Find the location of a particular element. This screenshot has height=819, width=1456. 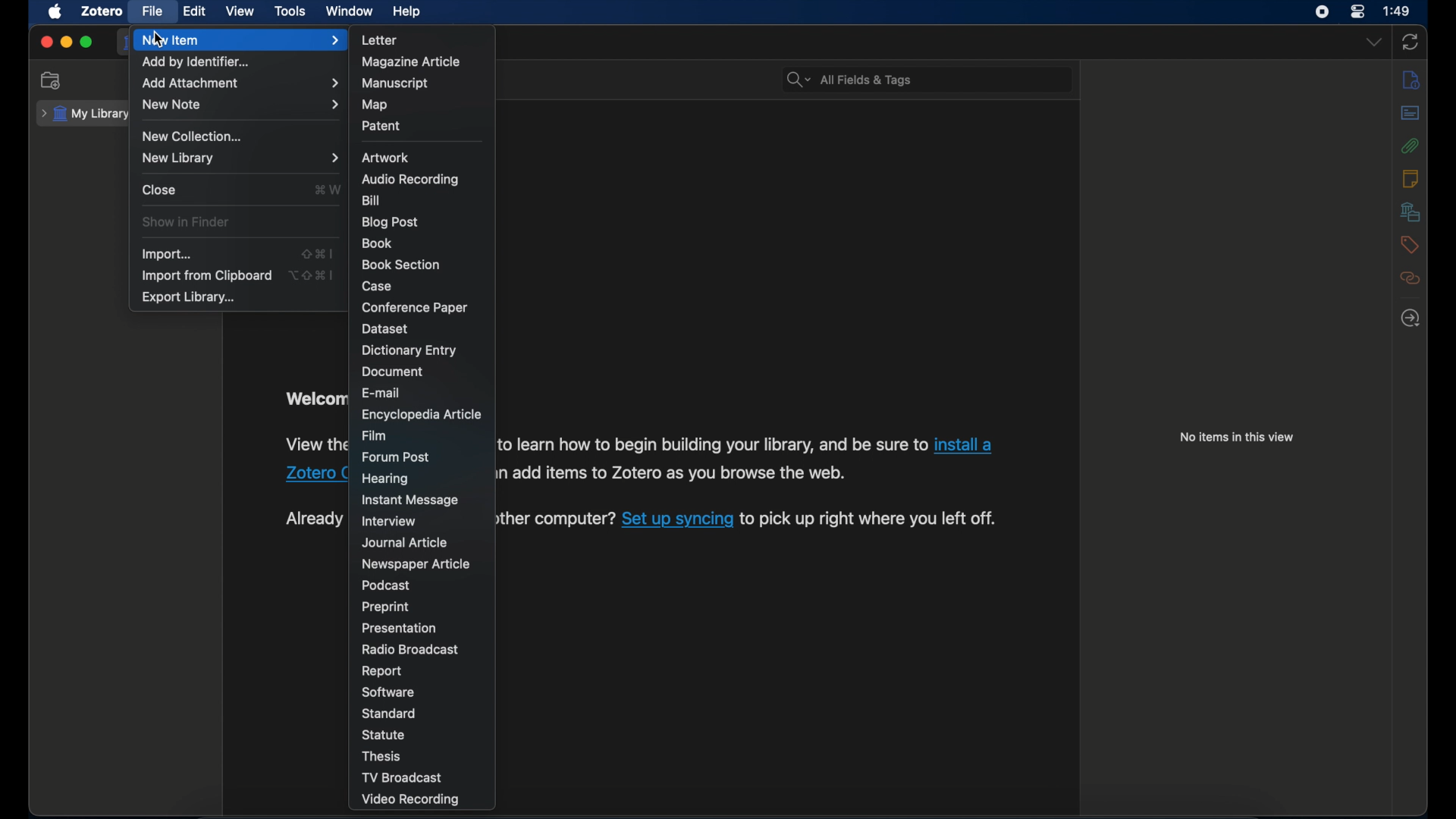

e-mail is located at coordinates (382, 392).